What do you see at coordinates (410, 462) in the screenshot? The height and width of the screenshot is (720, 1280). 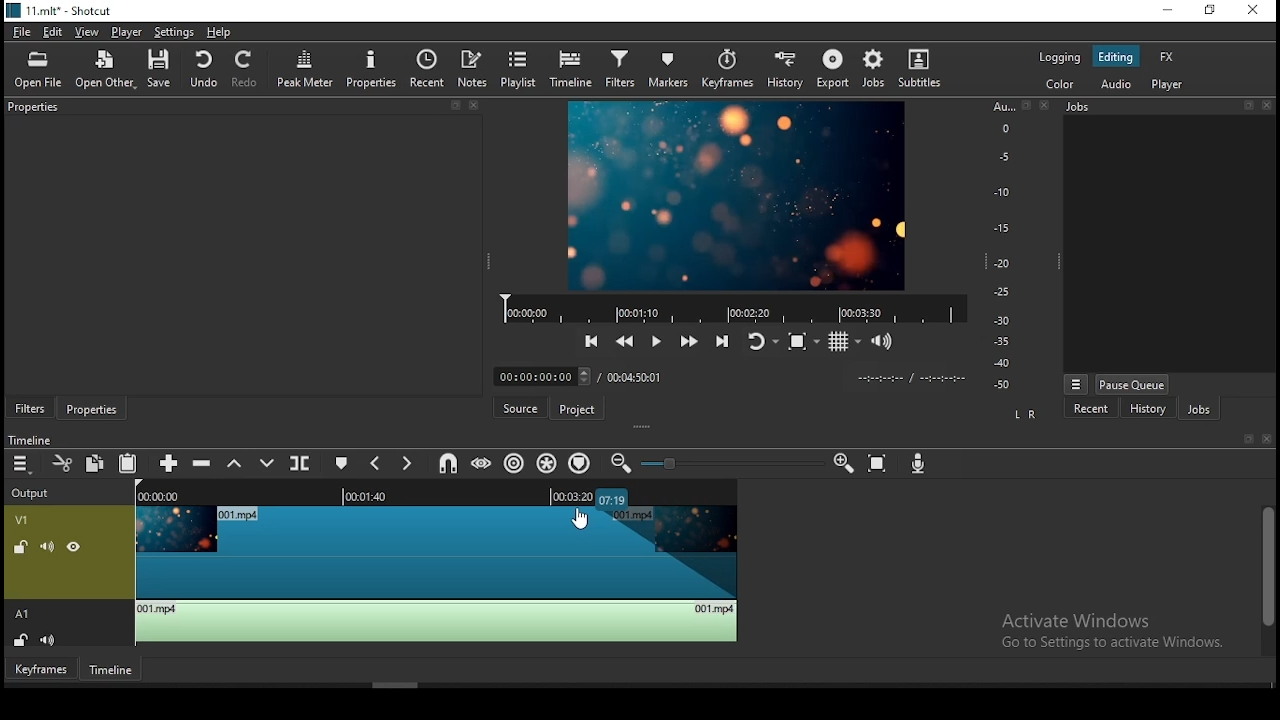 I see `next marker` at bounding box center [410, 462].